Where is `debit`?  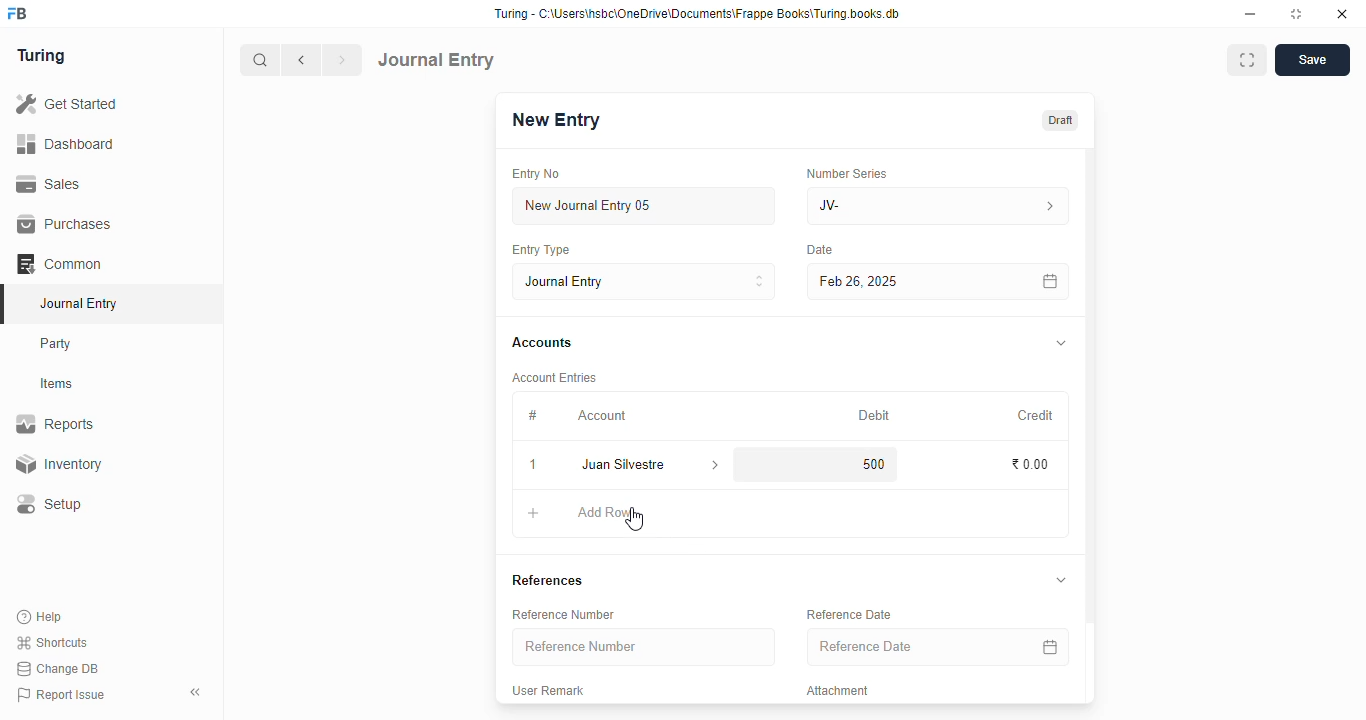 debit is located at coordinates (875, 415).